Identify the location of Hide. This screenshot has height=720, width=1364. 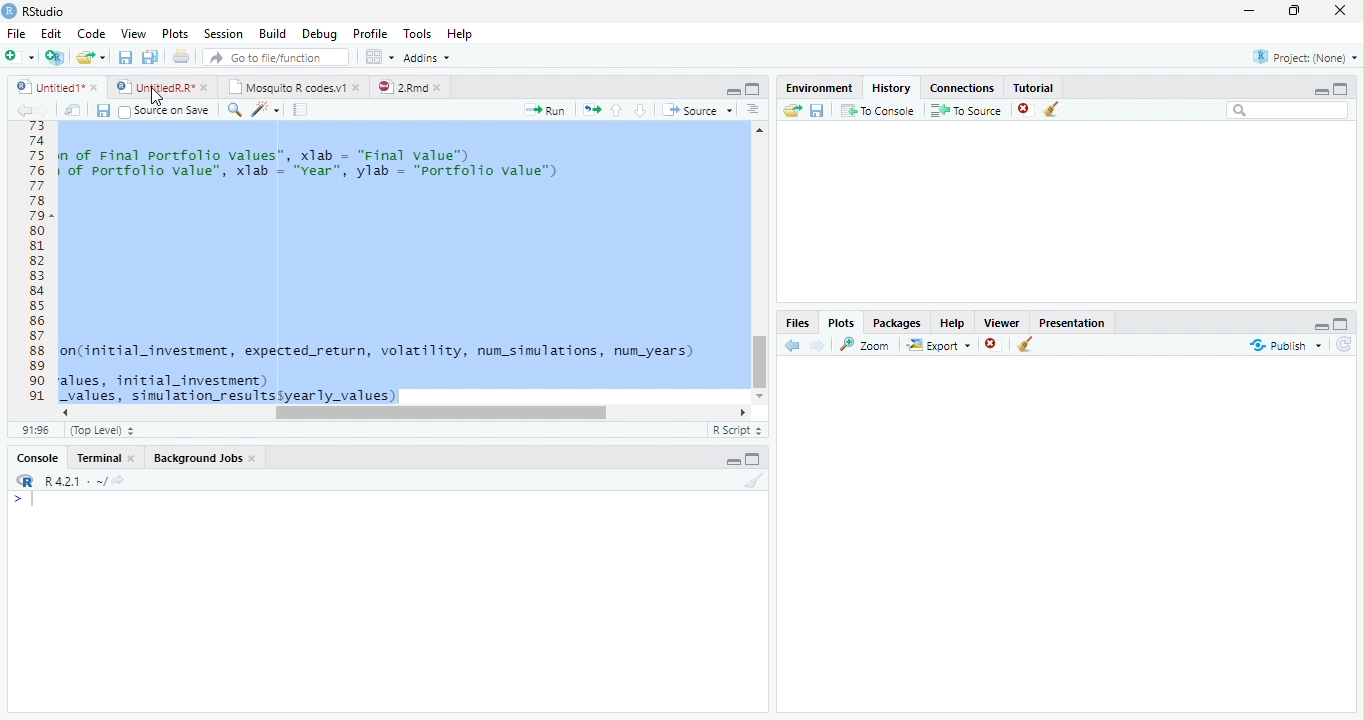
(1321, 90).